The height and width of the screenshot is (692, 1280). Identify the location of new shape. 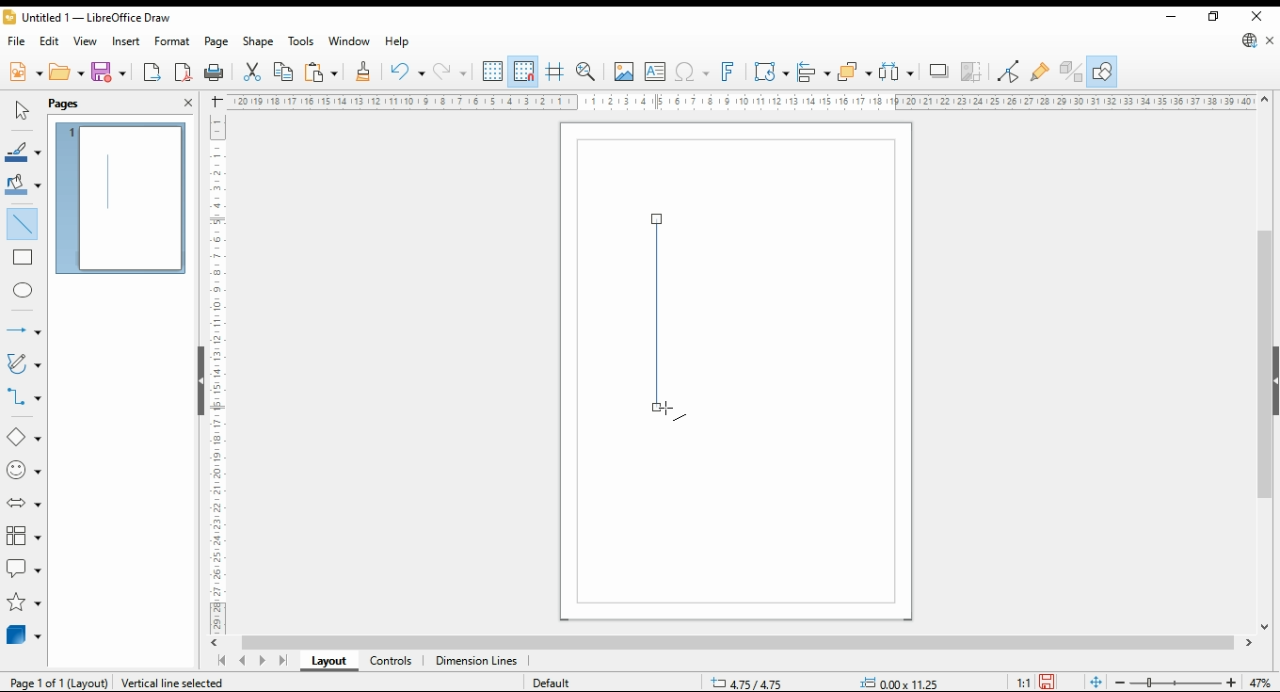
(664, 313).